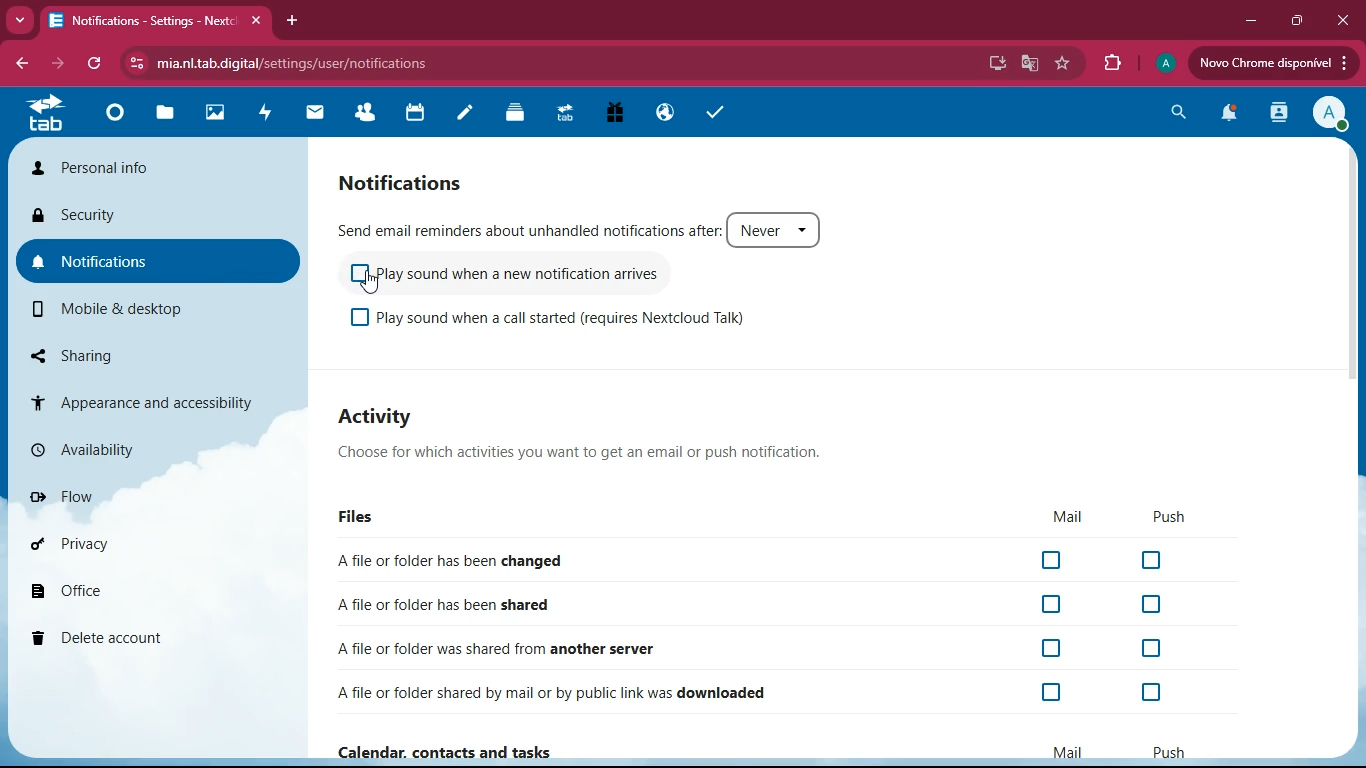 The width and height of the screenshot is (1366, 768). I want to click on send email, so click(528, 225).